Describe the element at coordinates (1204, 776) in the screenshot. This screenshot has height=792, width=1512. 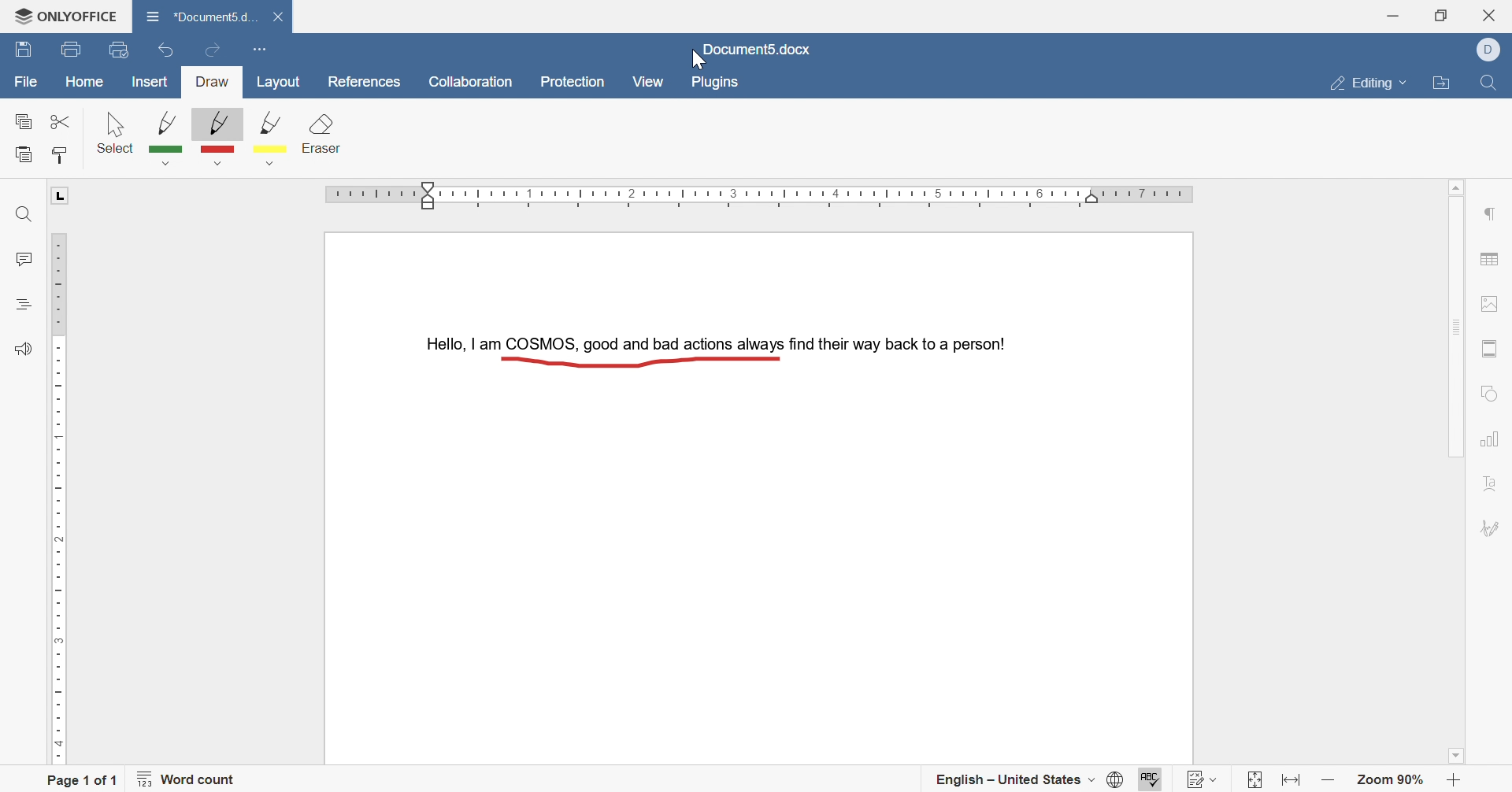
I see `track changes` at that location.